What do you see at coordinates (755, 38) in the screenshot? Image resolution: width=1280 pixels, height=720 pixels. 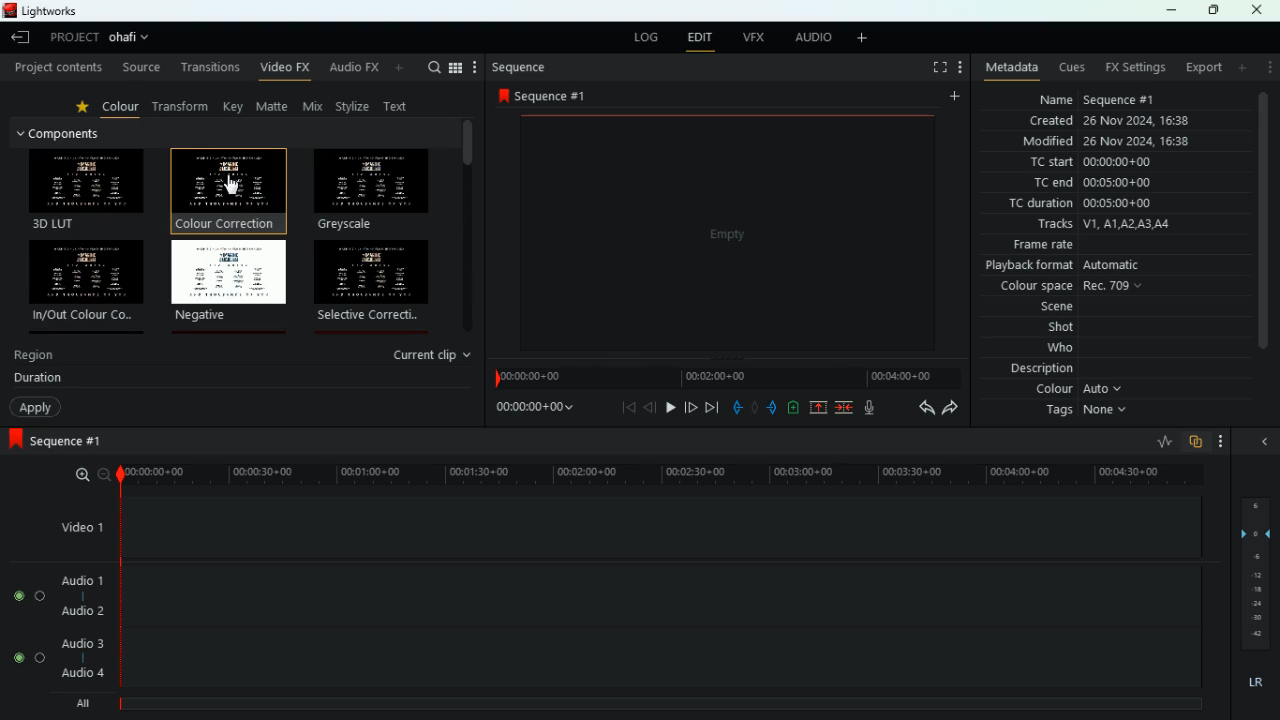 I see `vfx` at bounding box center [755, 38].